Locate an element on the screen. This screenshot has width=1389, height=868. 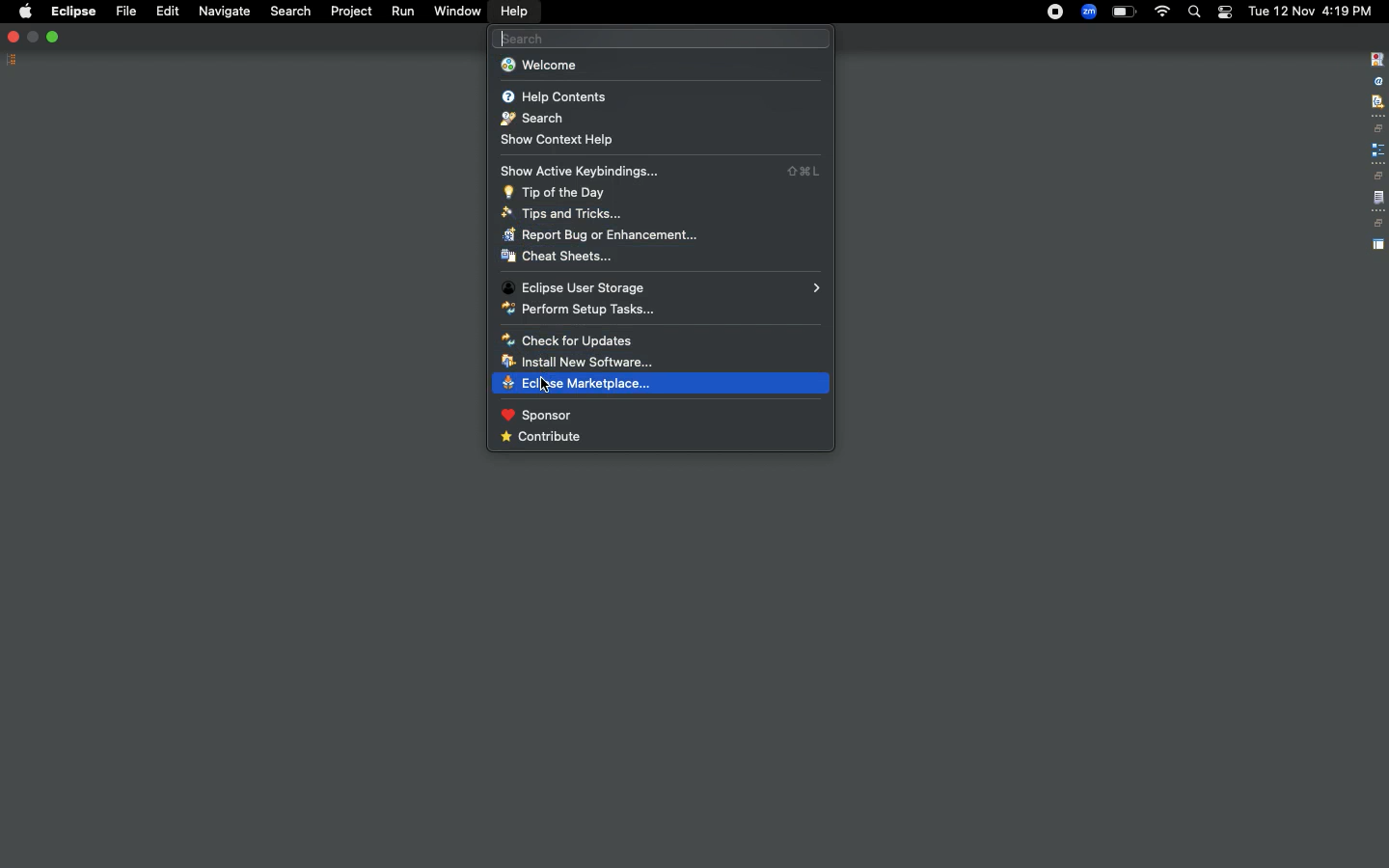
Show active keybindings is located at coordinates (668, 172).